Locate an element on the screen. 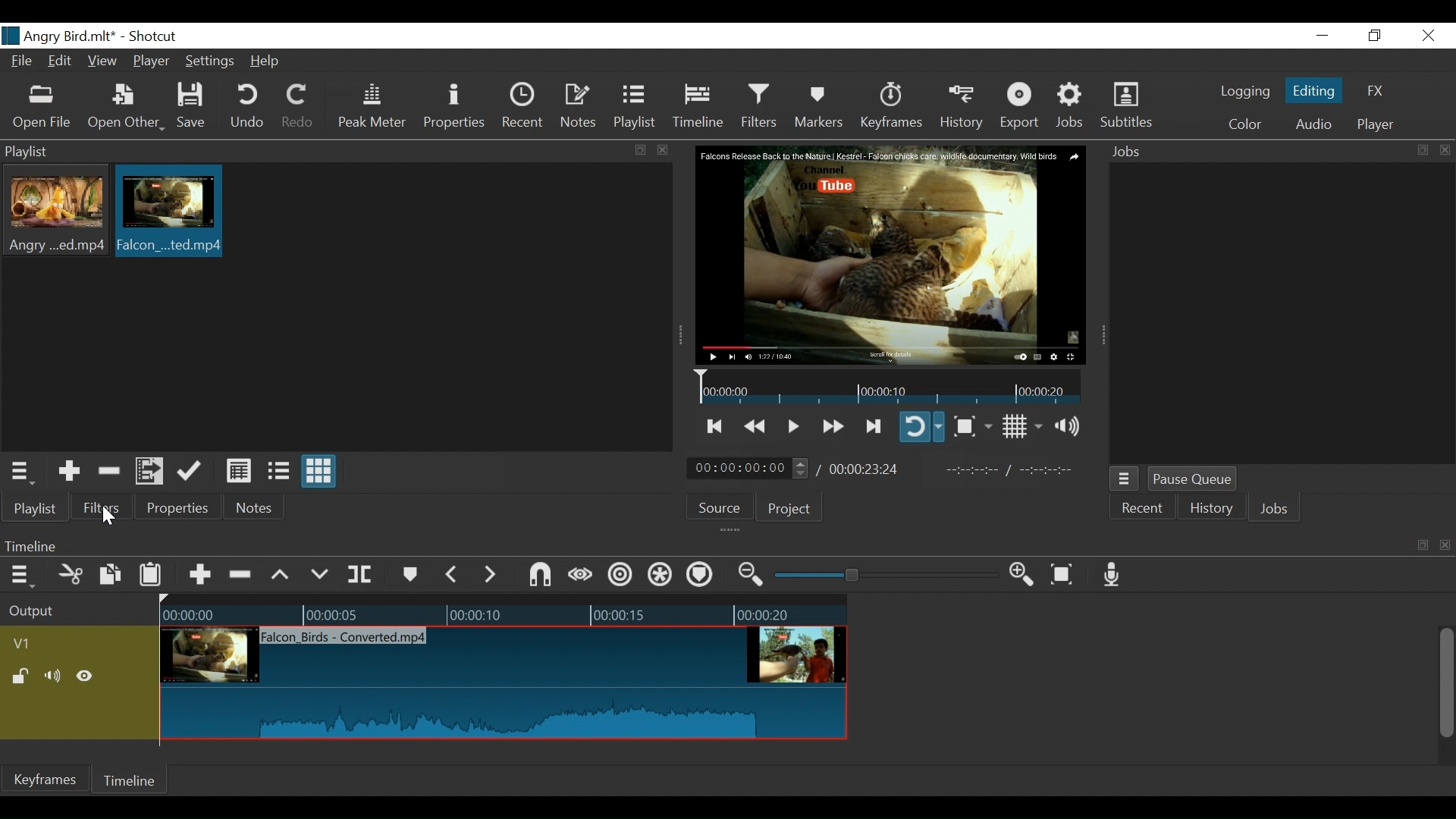 The width and height of the screenshot is (1456, 819). Audio is located at coordinates (1313, 126).